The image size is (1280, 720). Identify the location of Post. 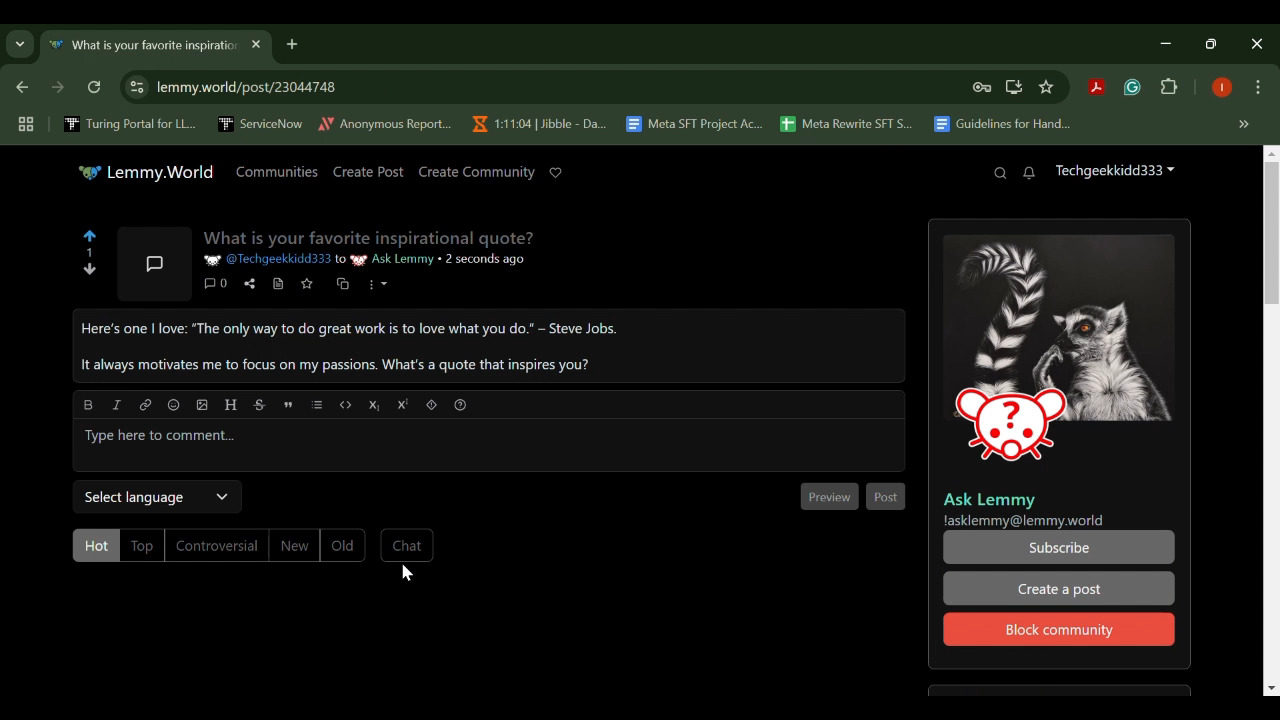
(883, 495).